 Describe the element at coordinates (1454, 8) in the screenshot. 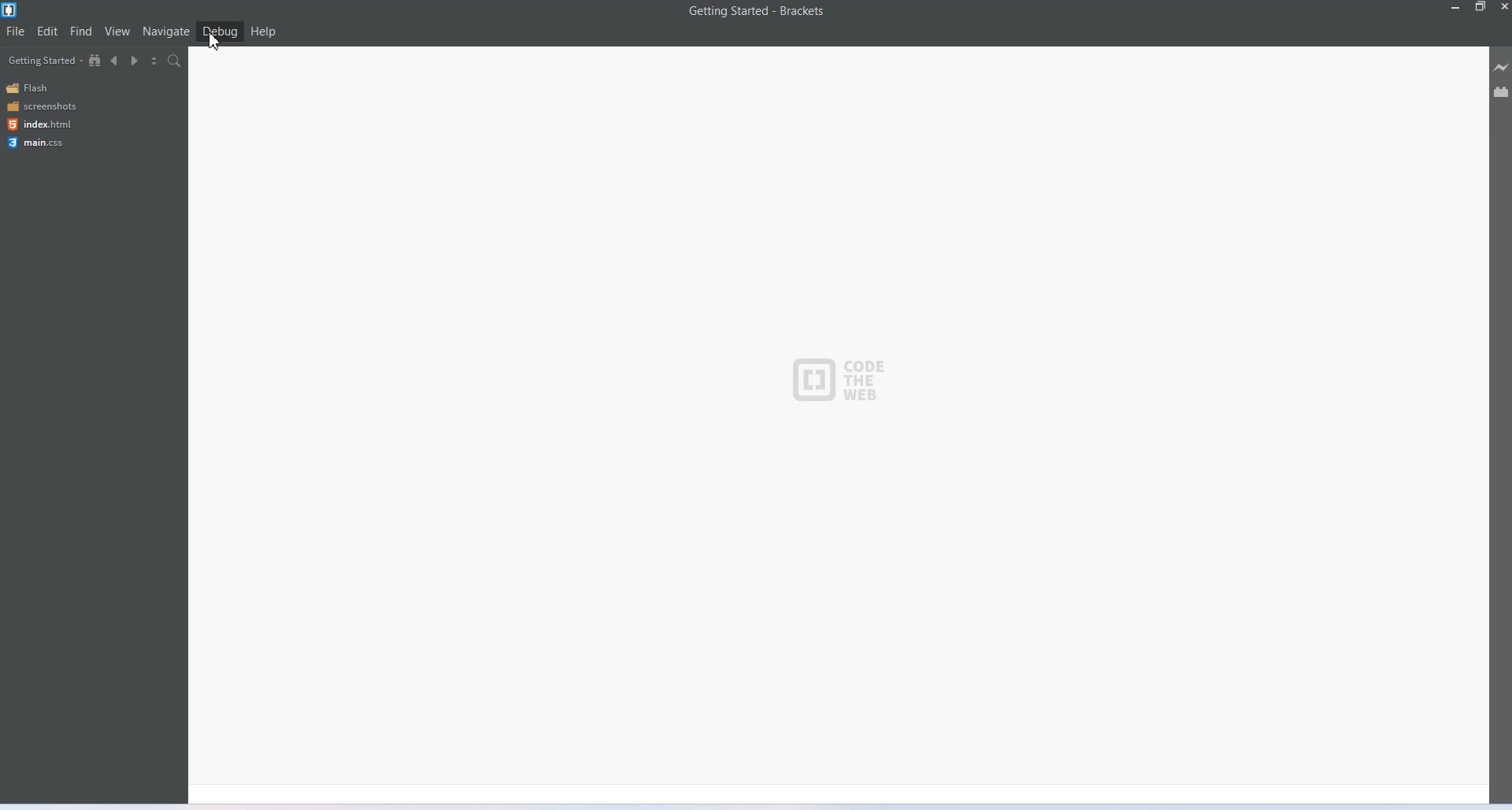

I see `minimize` at that location.